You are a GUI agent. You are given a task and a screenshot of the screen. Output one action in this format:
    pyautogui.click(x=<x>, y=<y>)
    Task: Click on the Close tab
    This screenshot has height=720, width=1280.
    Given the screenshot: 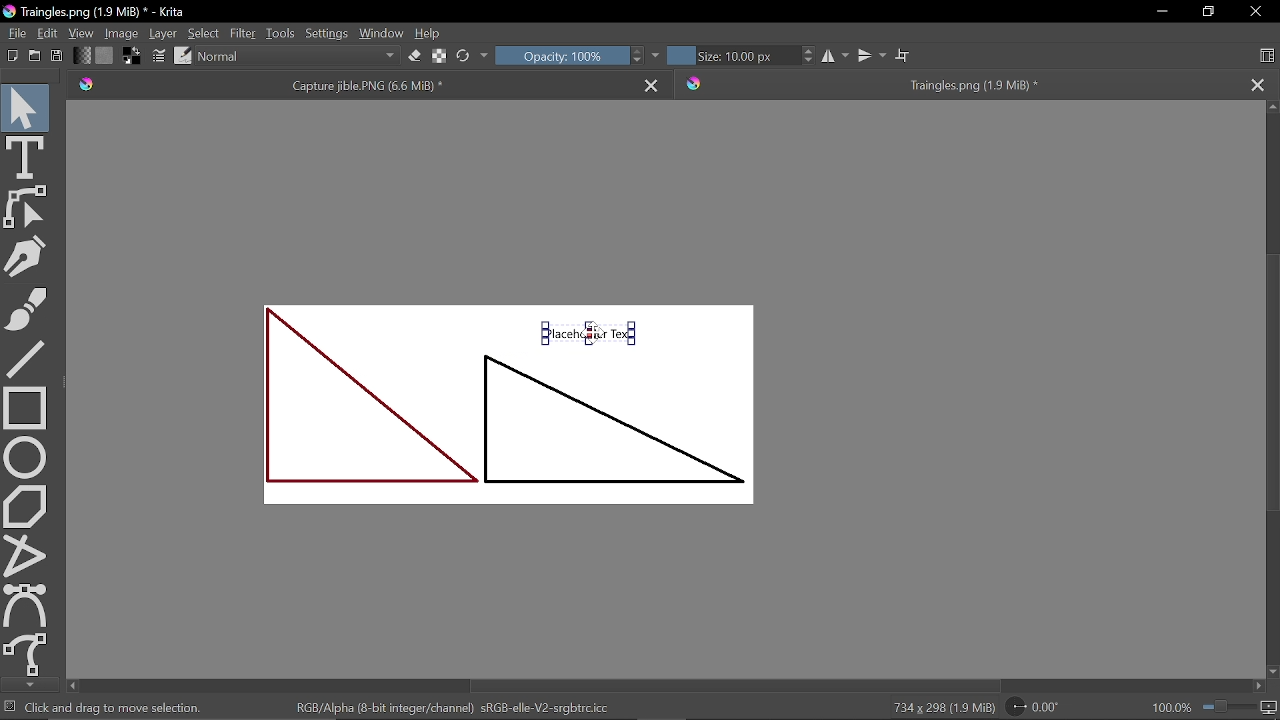 What is the action you would take?
    pyautogui.click(x=1263, y=83)
    